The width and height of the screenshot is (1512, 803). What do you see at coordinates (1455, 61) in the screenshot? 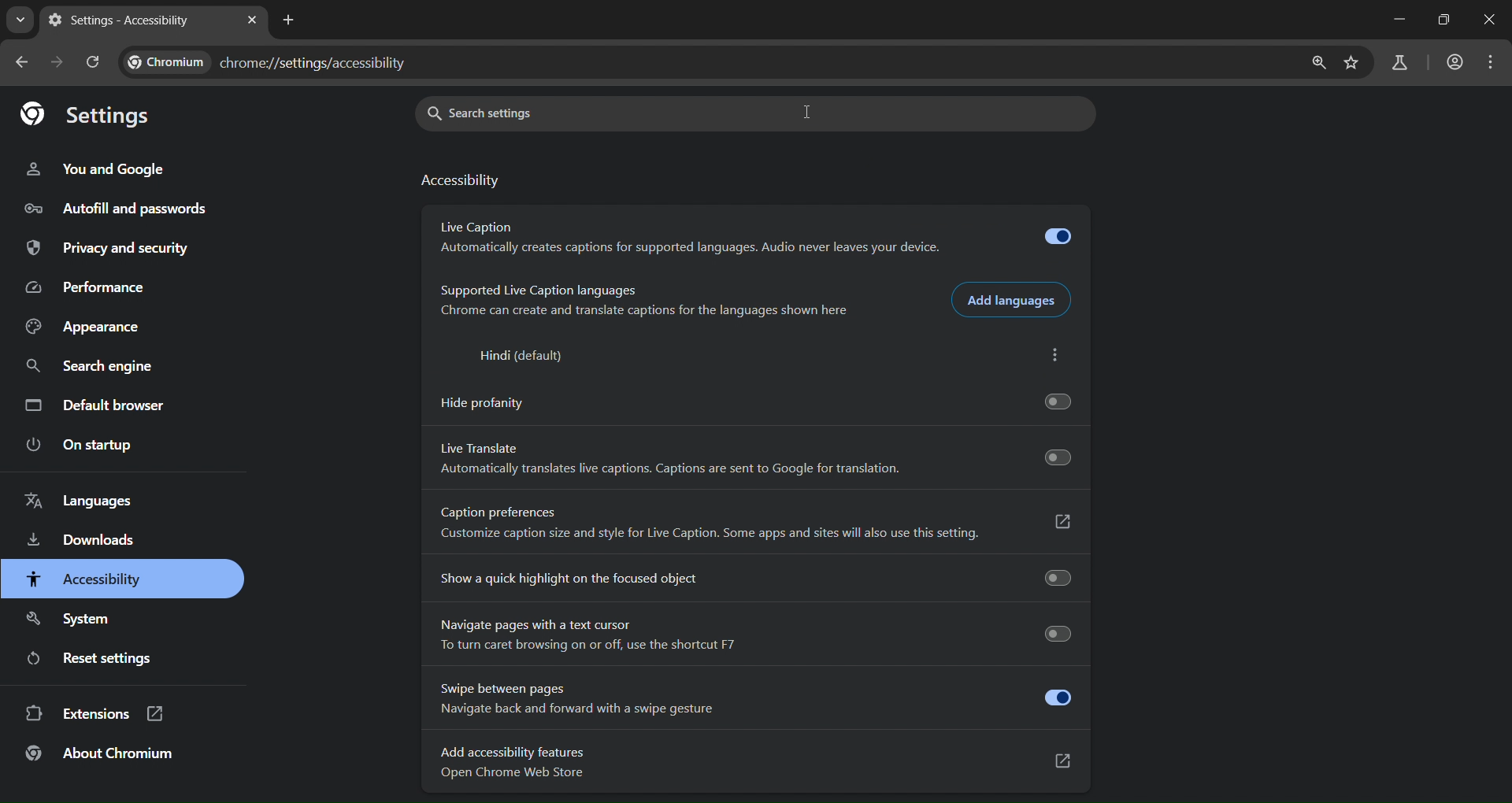
I see `accounts` at bounding box center [1455, 61].